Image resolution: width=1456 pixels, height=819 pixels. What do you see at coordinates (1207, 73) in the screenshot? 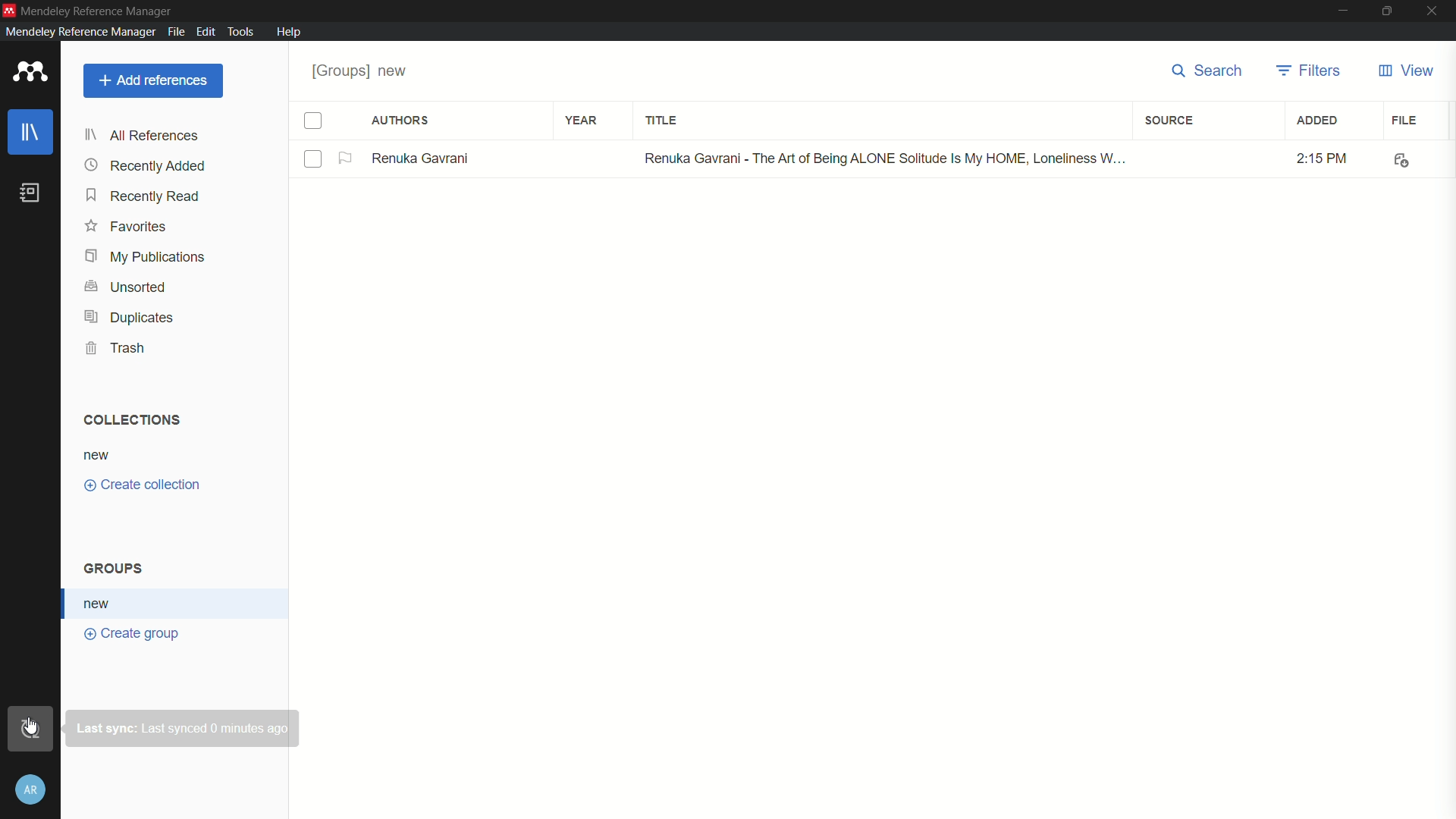
I see `search` at bounding box center [1207, 73].